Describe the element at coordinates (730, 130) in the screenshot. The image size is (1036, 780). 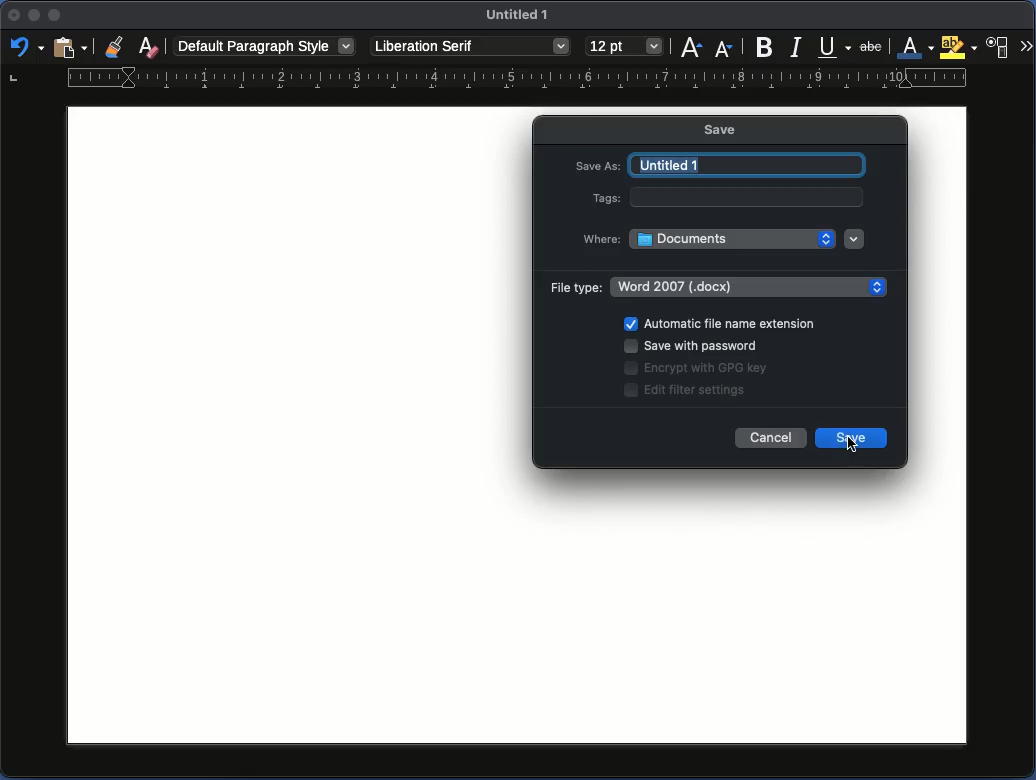
I see `Save` at that location.